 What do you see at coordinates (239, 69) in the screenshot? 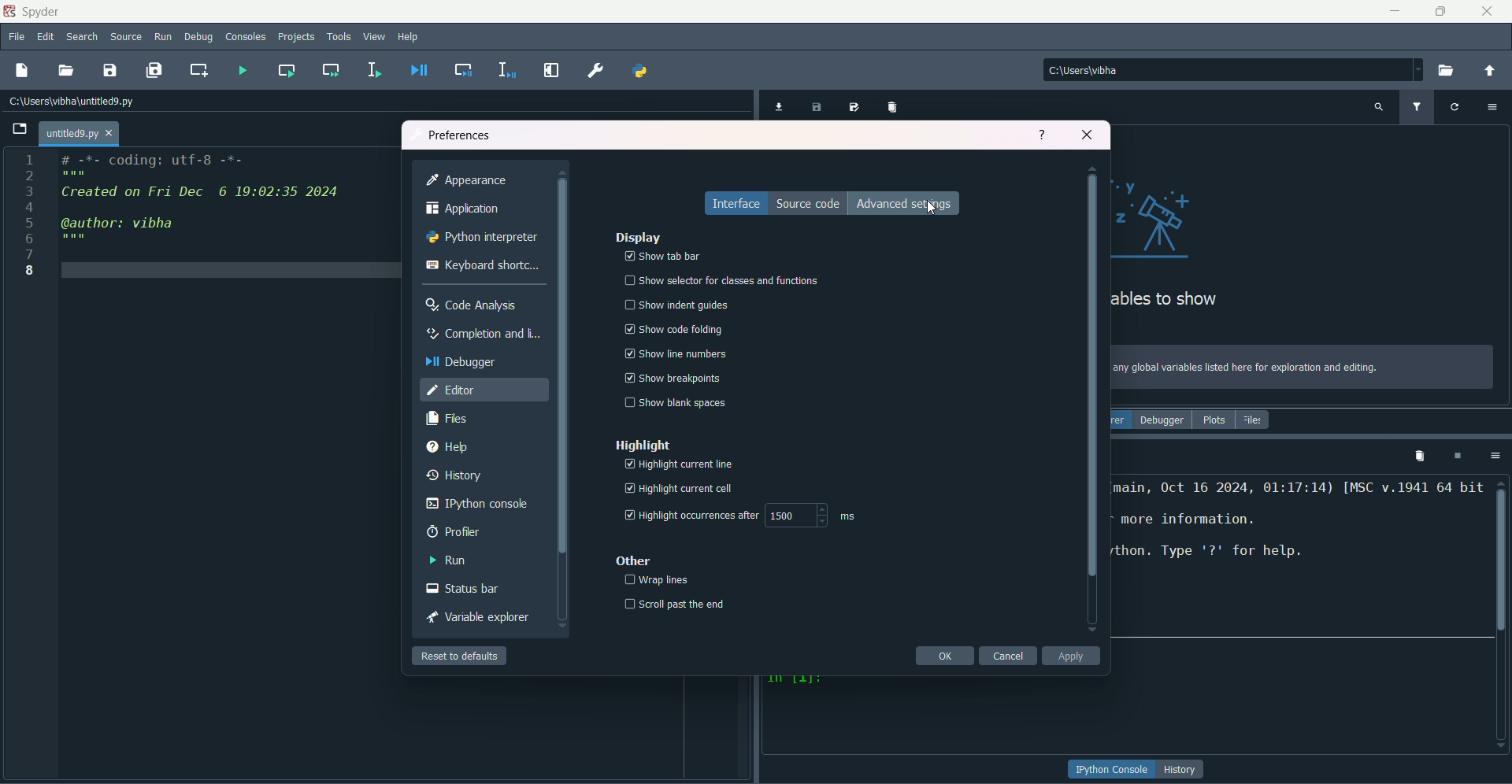
I see `run file` at bounding box center [239, 69].